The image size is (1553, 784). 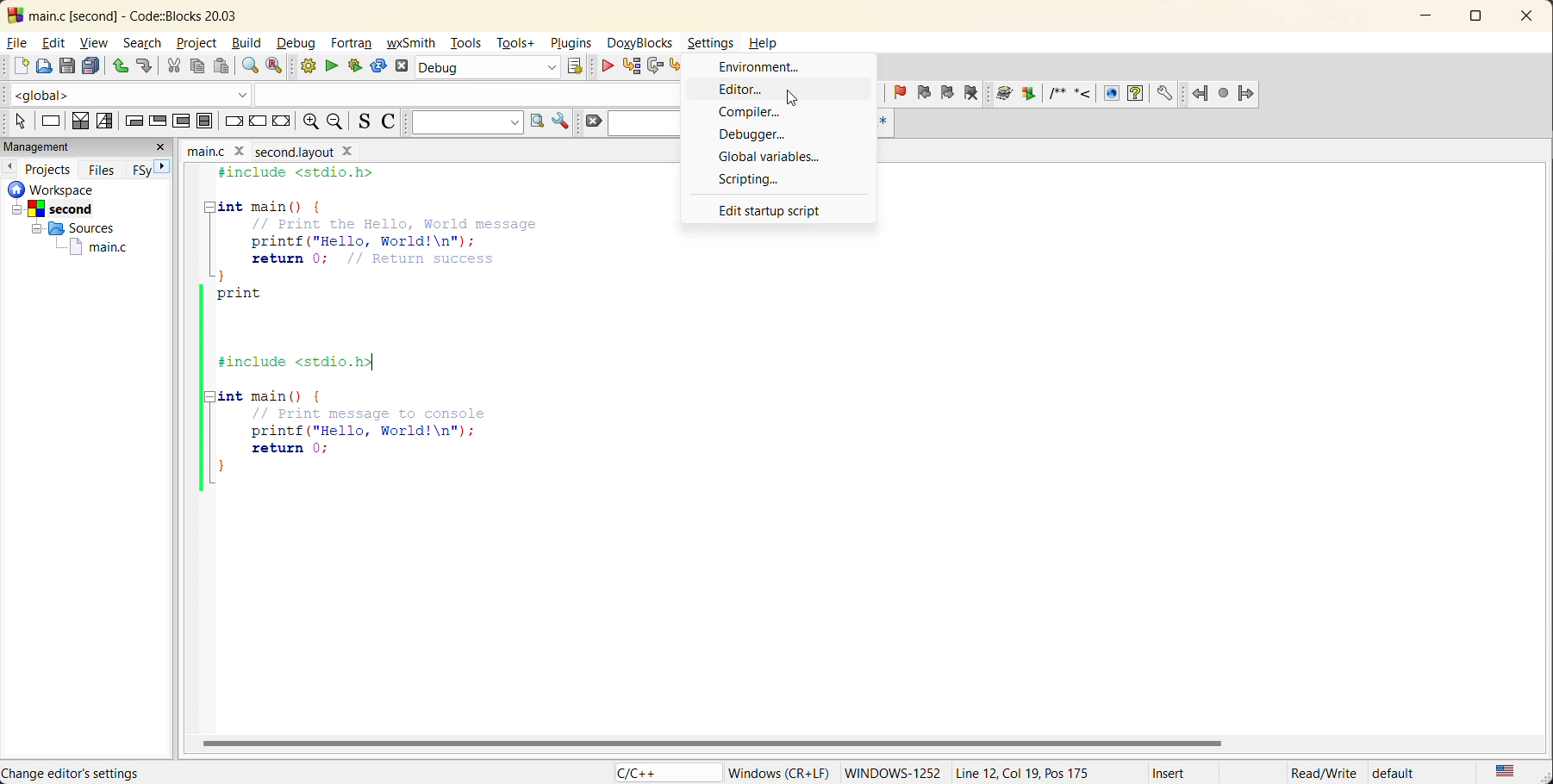 I want to click on run to cursor, so click(x=634, y=66).